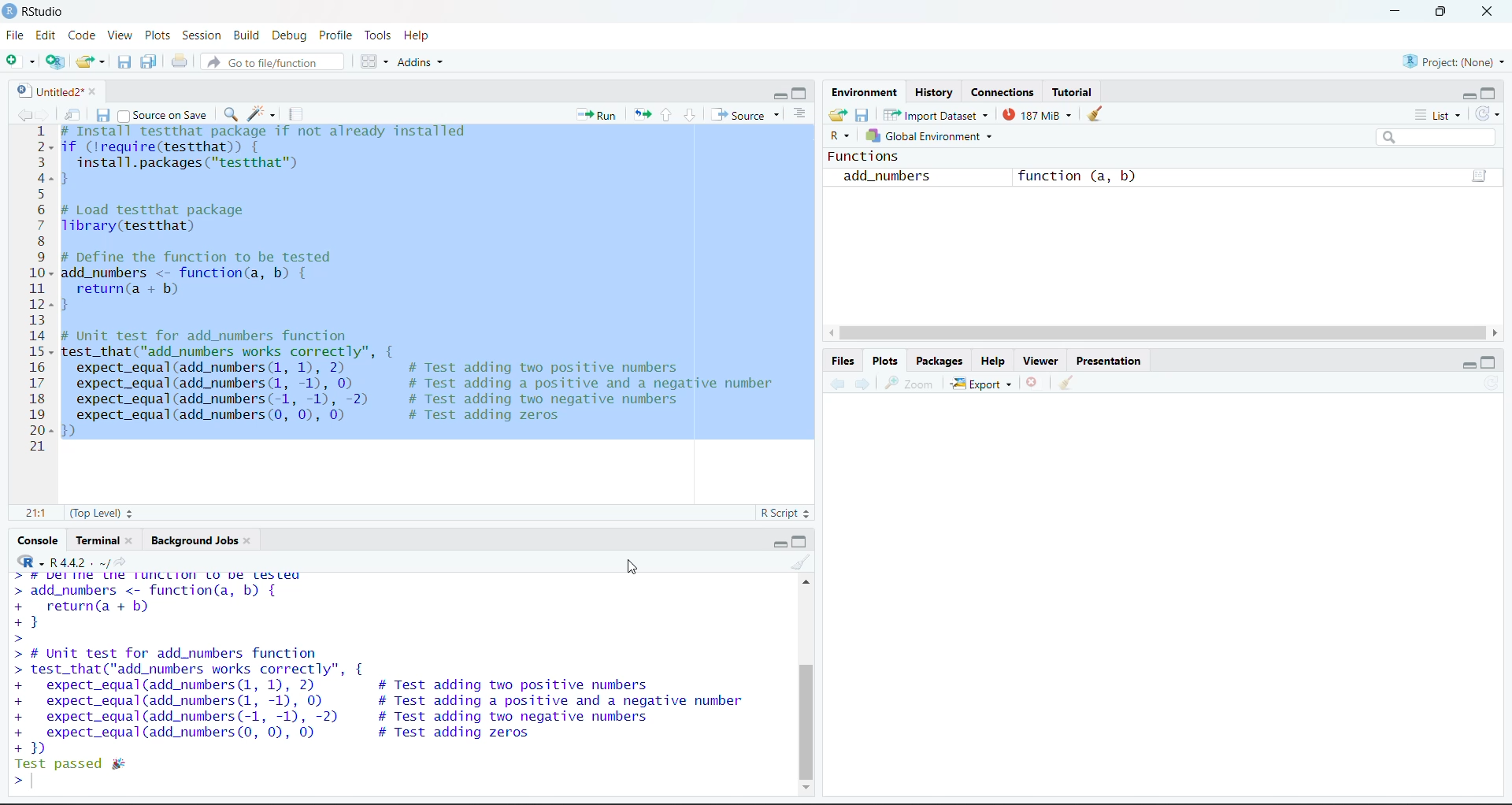 The image size is (1512, 805). I want to click on create a project, so click(55, 61).